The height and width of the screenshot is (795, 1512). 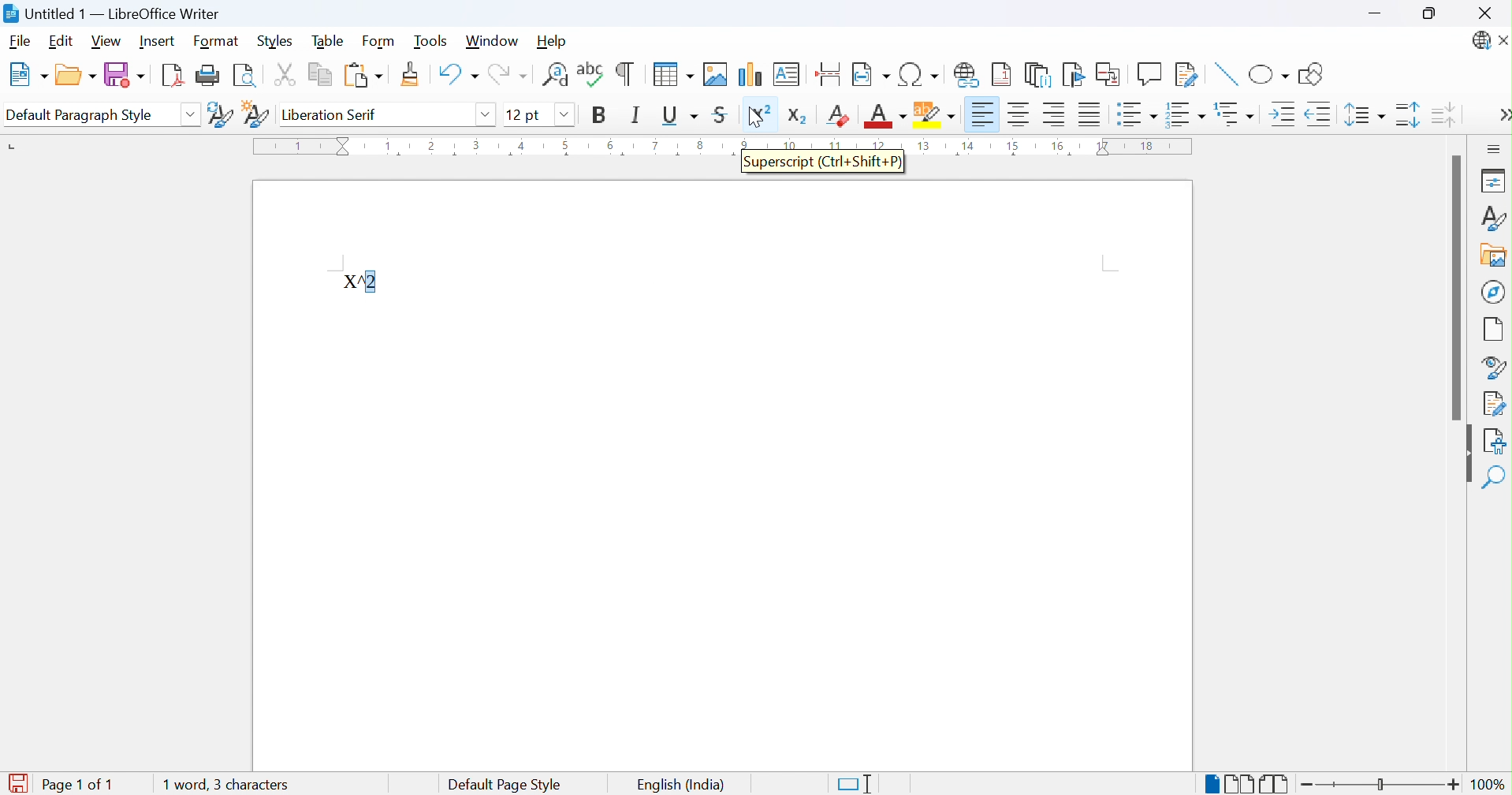 I want to click on Toggle ordered list, so click(x=1187, y=114).